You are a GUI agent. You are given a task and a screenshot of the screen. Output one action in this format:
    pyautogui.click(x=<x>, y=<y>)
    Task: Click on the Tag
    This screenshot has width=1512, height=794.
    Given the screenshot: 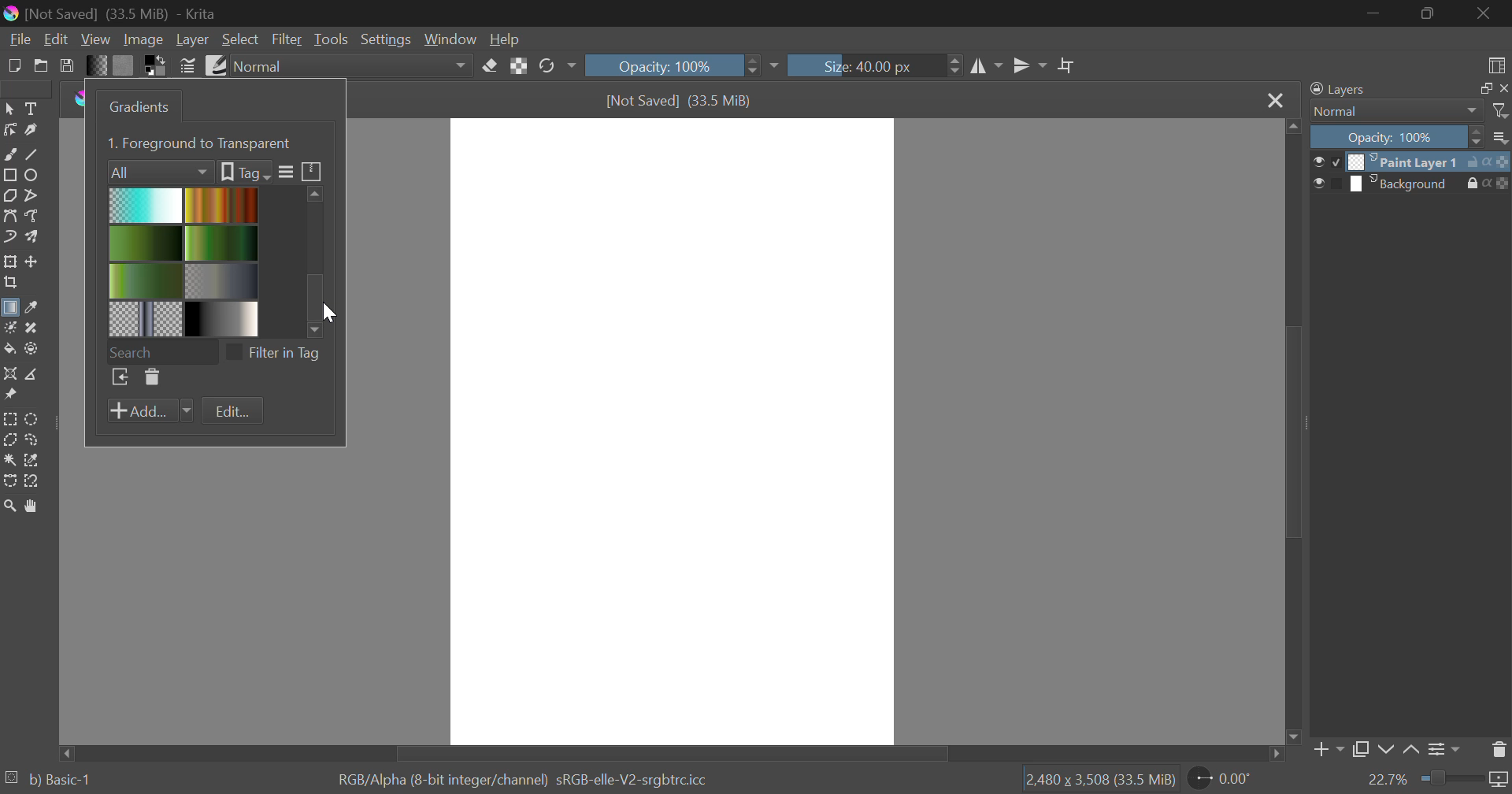 What is the action you would take?
    pyautogui.click(x=244, y=172)
    